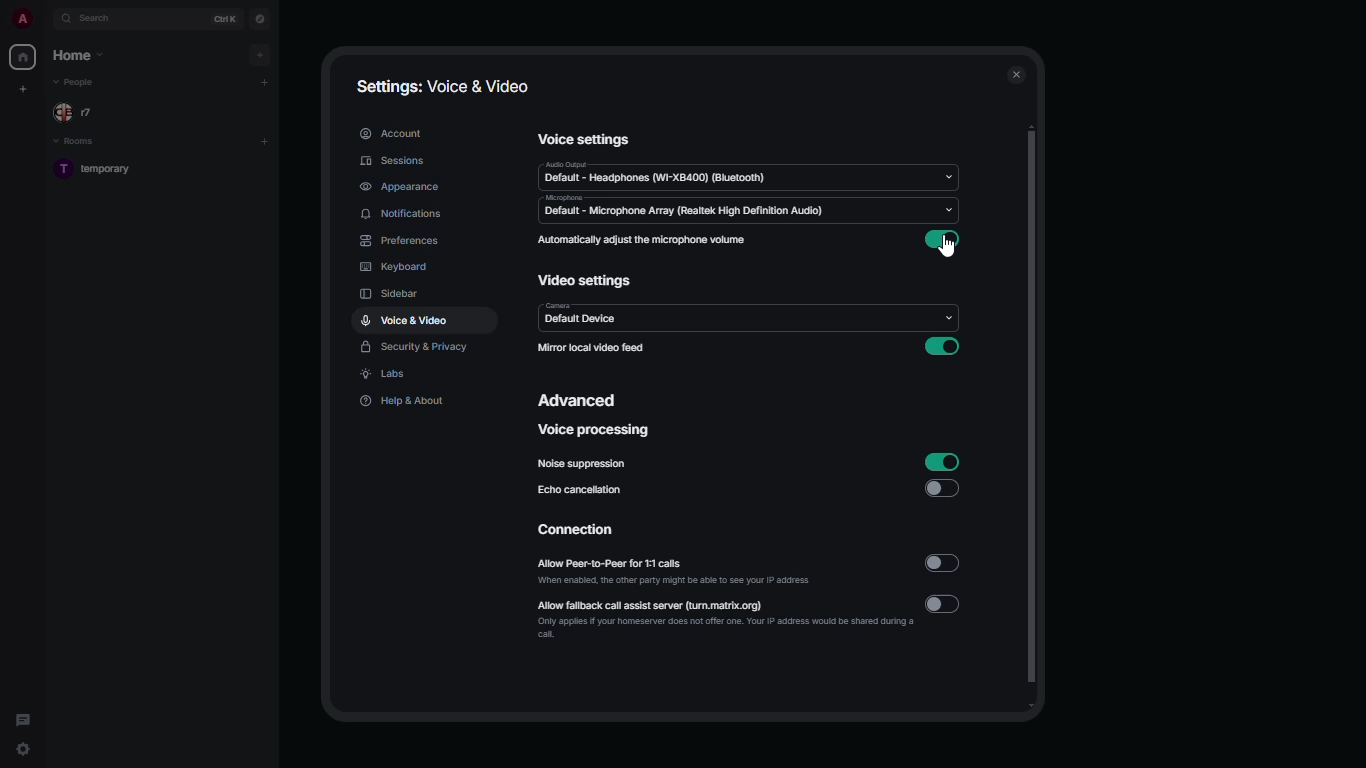 This screenshot has height=768, width=1366. What do you see at coordinates (579, 400) in the screenshot?
I see `advanced` at bounding box center [579, 400].